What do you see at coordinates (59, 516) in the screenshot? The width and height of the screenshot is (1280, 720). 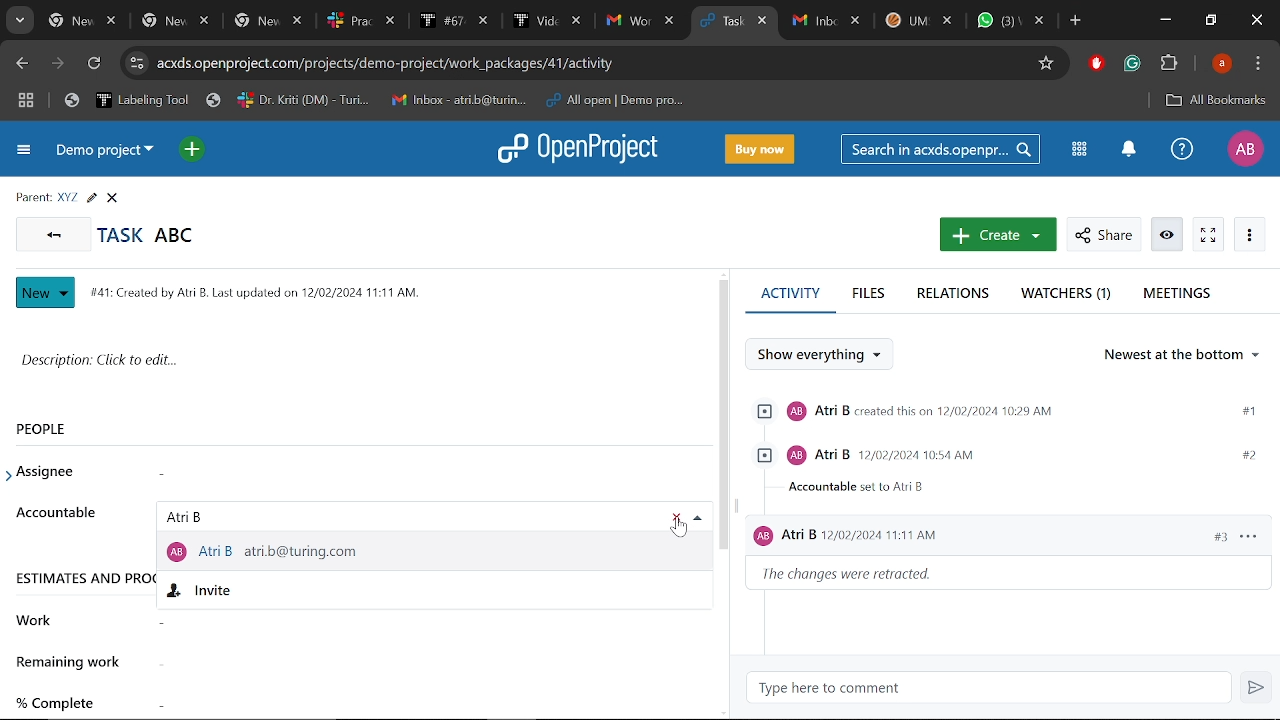 I see `Accountable` at bounding box center [59, 516].